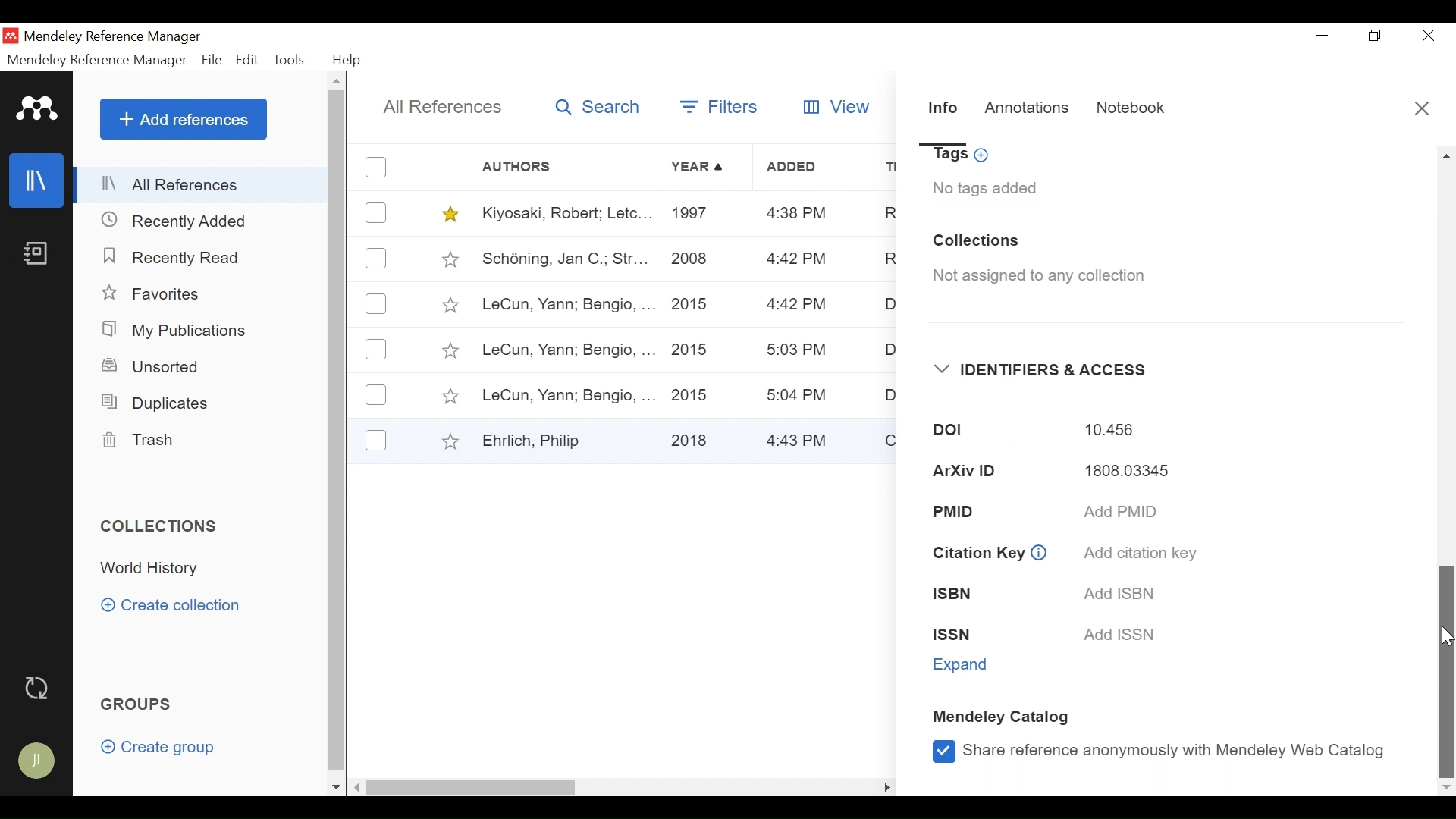 The image size is (1456, 819). Describe the element at coordinates (794, 306) in the screenshot. I see `4:42 PM` at that location.